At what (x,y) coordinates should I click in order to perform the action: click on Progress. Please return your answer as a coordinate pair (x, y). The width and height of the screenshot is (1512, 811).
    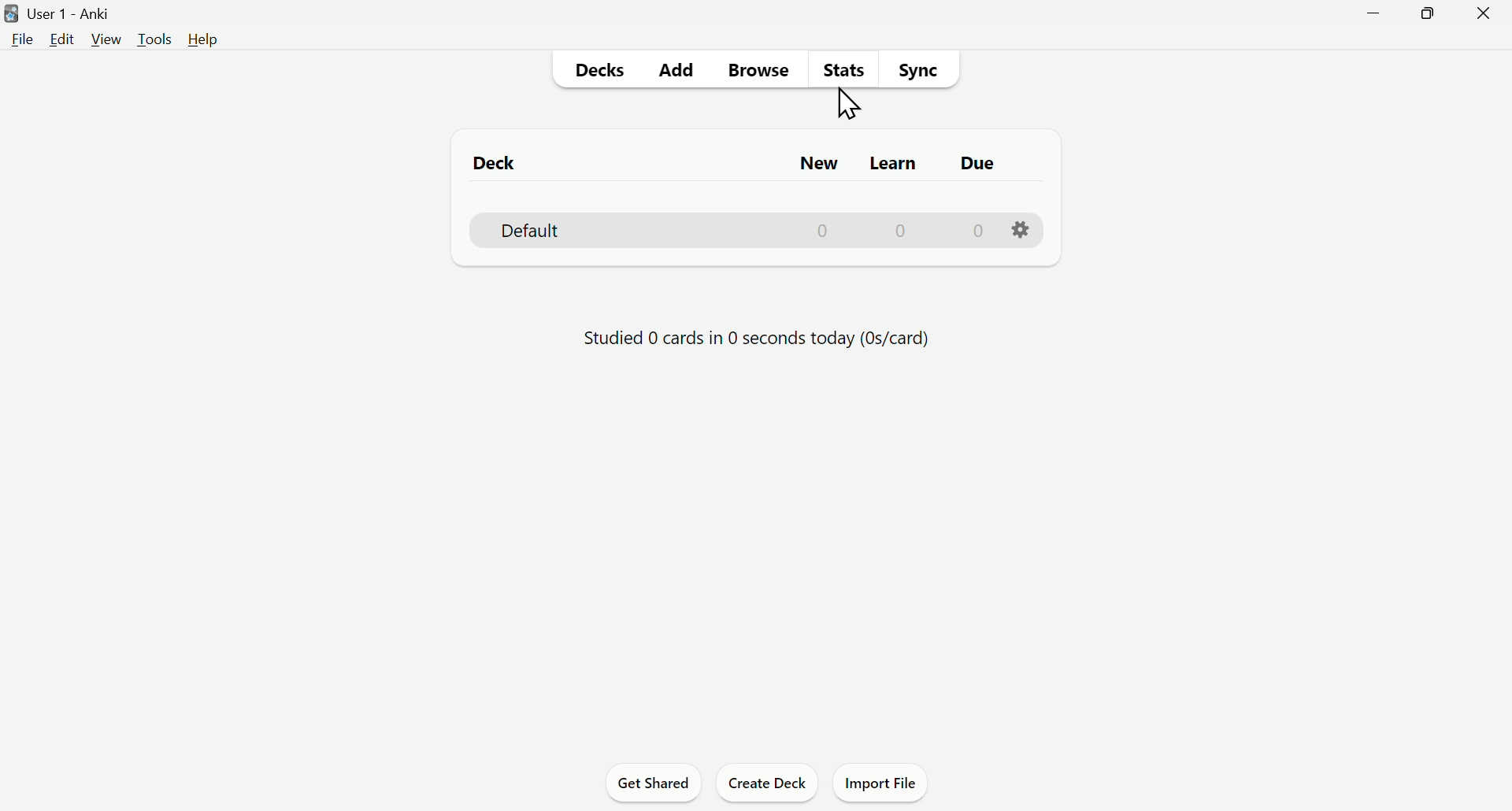
    Looking at the image, I should click on (763, 335).